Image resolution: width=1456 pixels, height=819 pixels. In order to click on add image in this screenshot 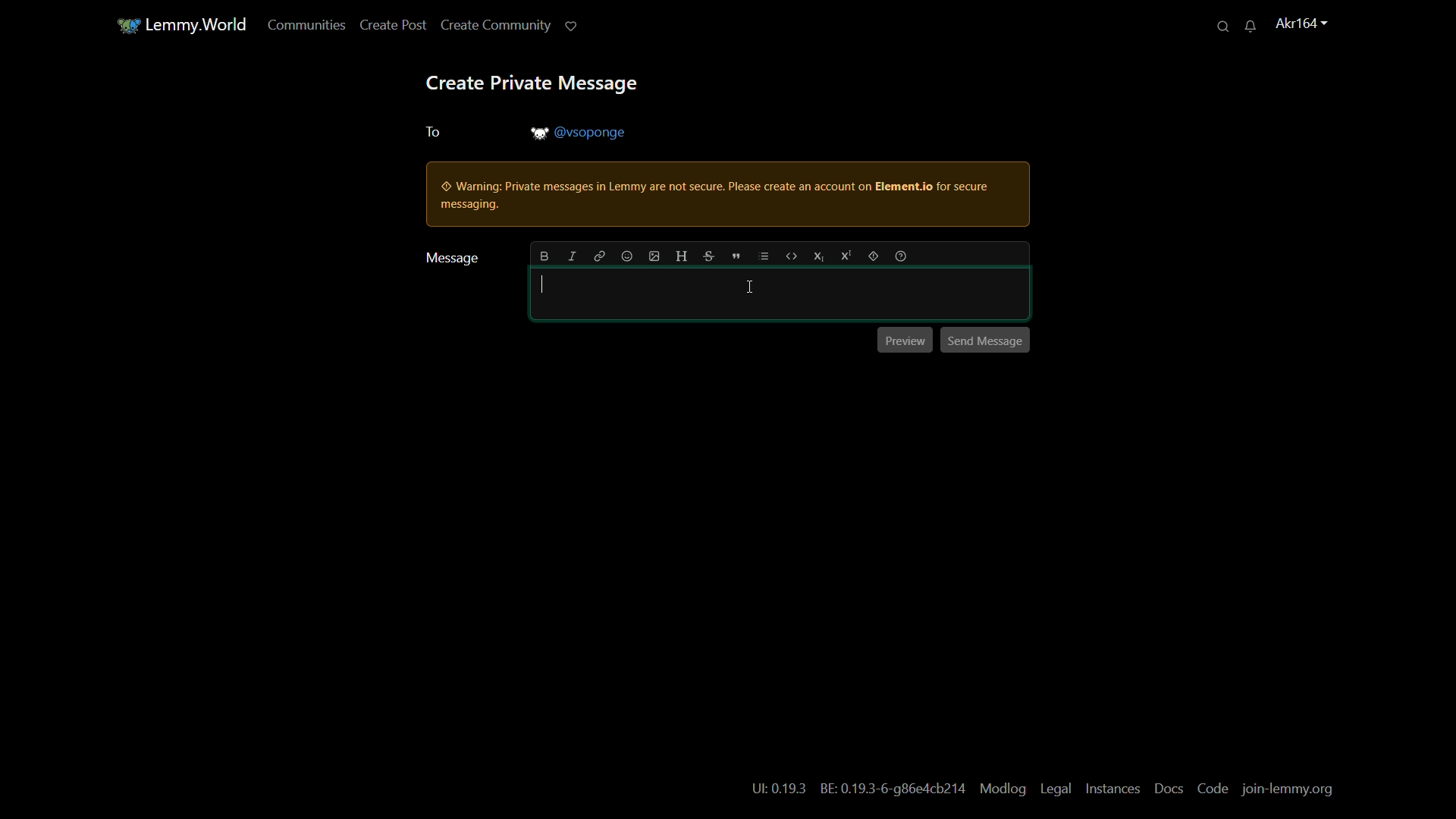, I will do `click(654, 256)`.